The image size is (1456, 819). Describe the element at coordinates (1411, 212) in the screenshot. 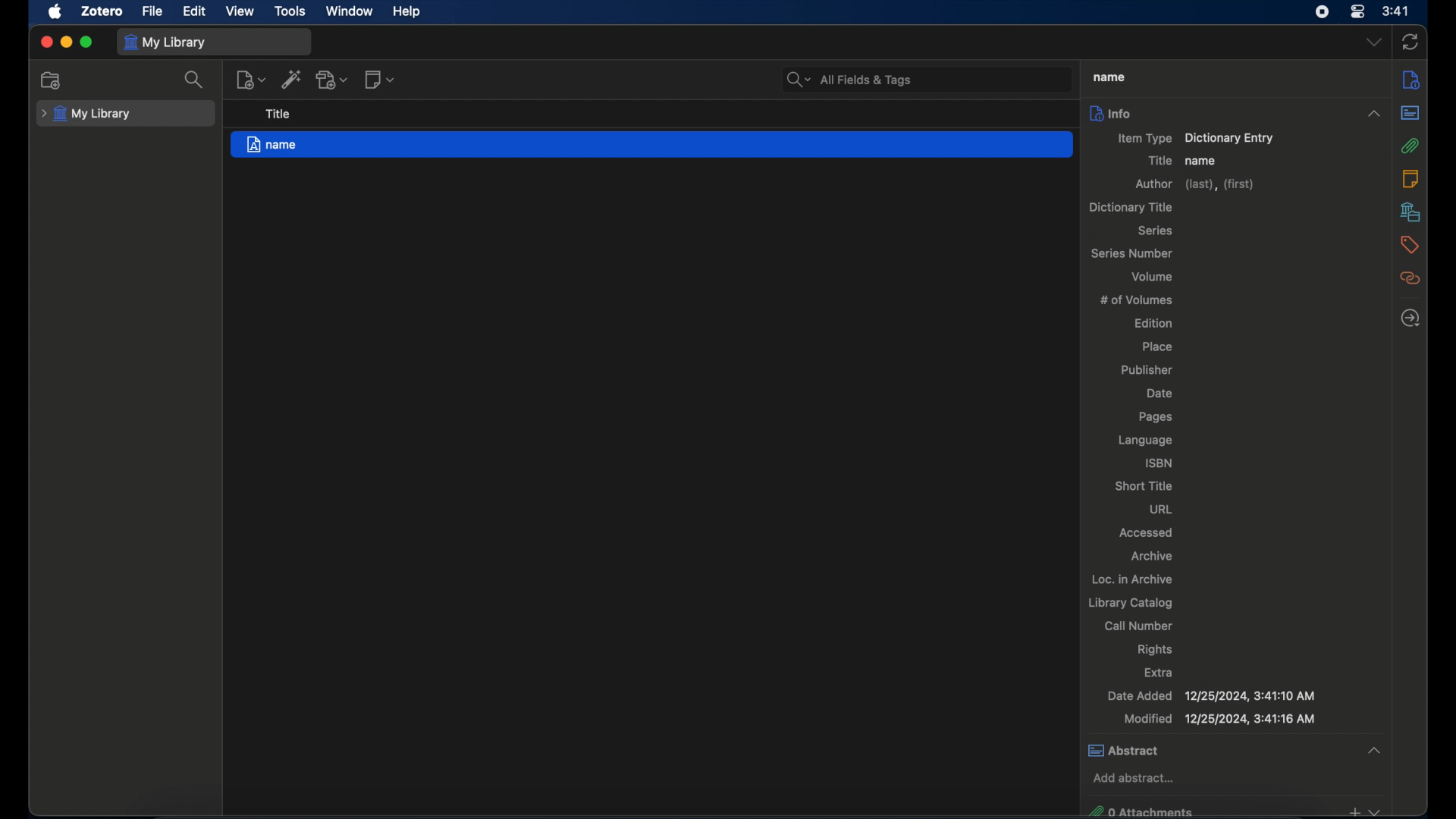

I see `libraries` at that location.